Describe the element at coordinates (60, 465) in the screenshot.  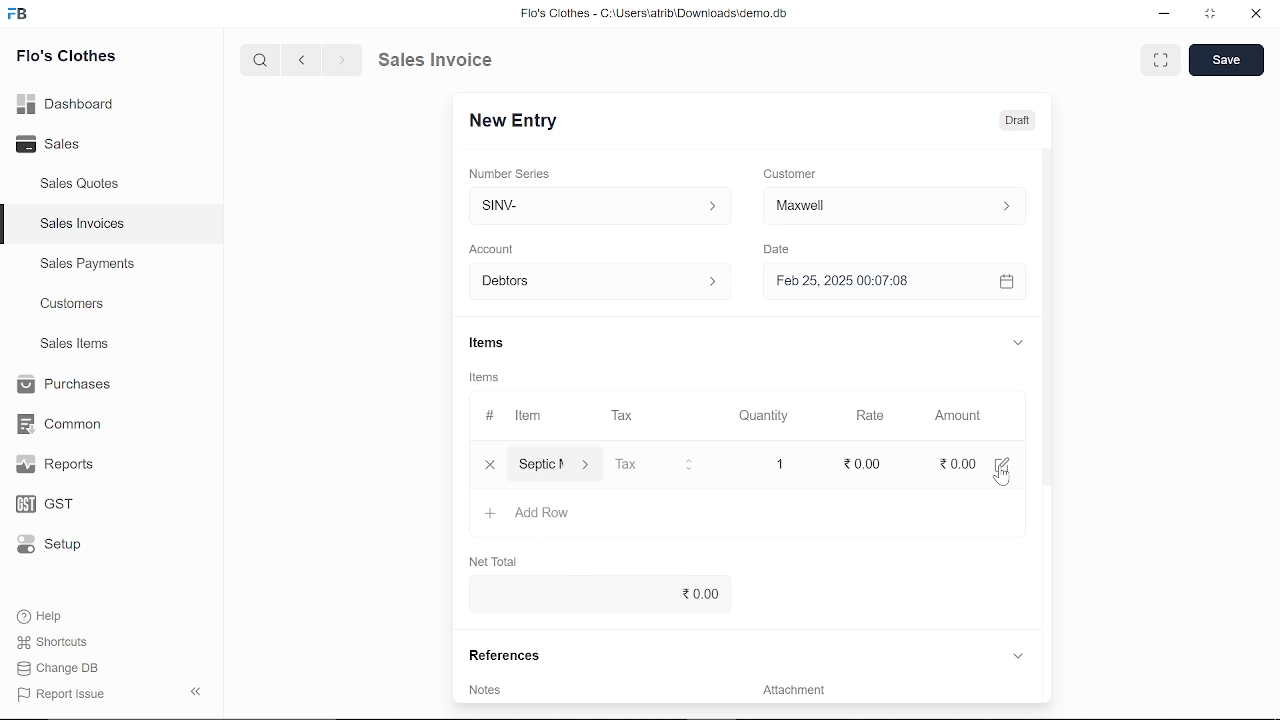
I see `Reports` at that location.